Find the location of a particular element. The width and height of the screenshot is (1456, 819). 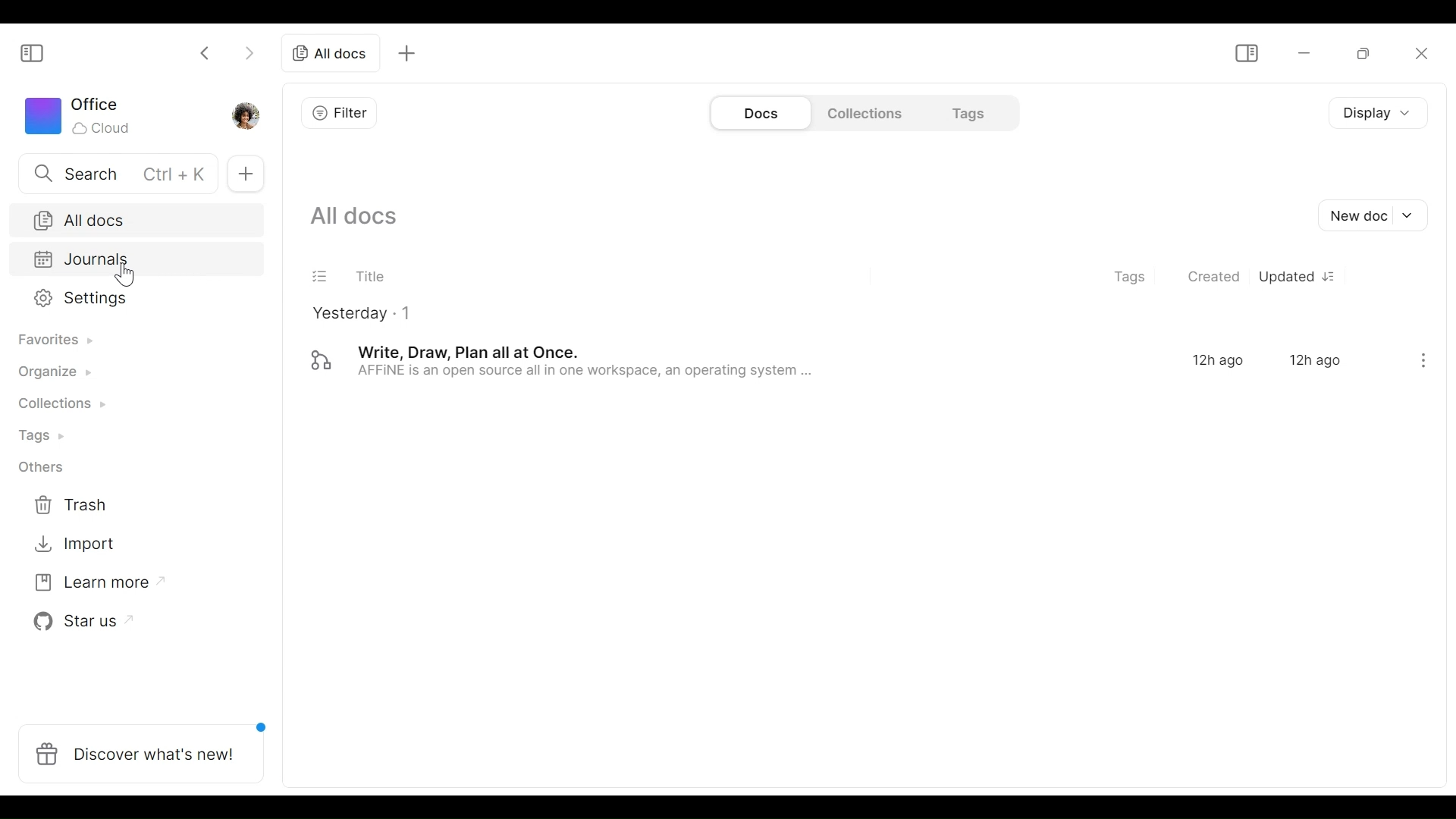

Trash is located at coordinates (72, 505).